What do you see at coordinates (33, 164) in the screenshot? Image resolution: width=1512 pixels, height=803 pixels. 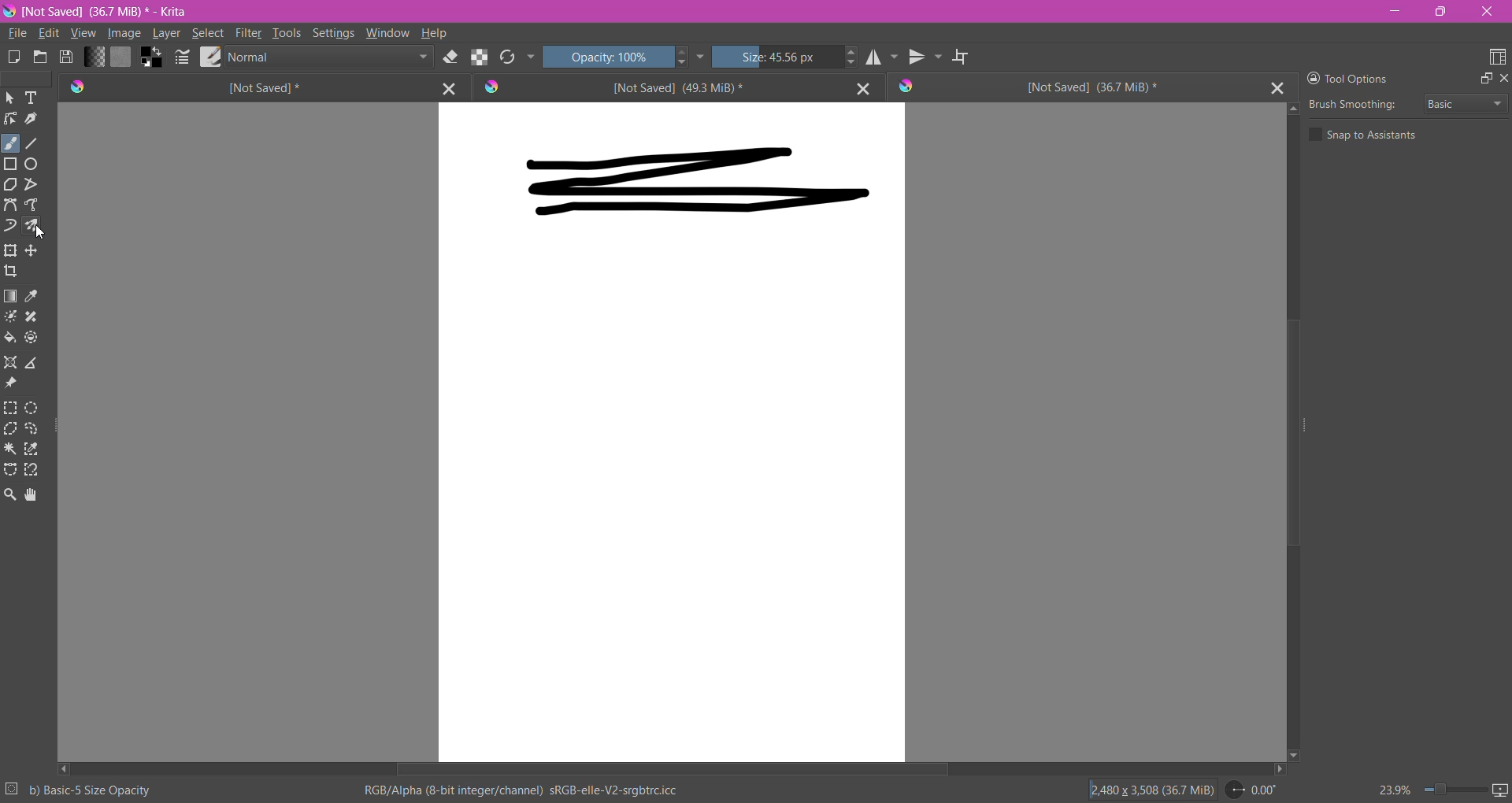 I see `Ellipse Tool` at bounding box center [33, 164].